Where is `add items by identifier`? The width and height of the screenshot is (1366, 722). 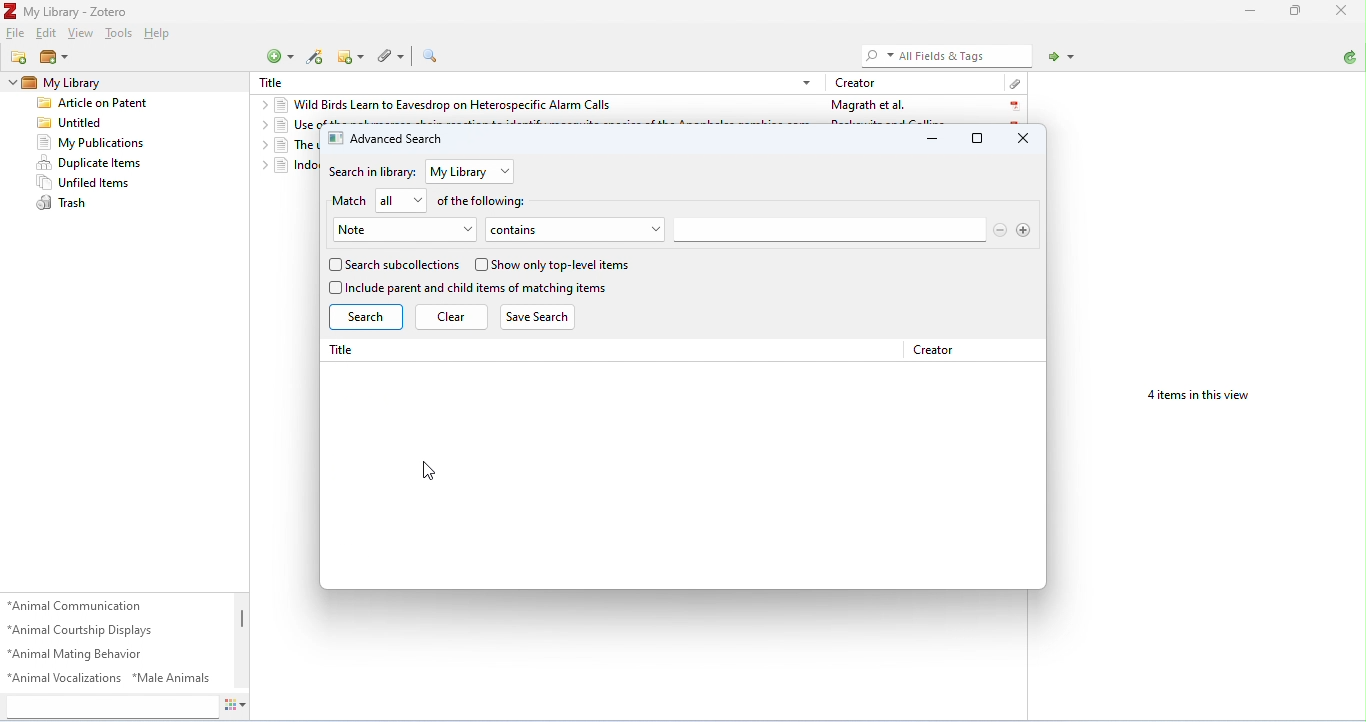 add items by identifier is located at coordinates (319, 59).